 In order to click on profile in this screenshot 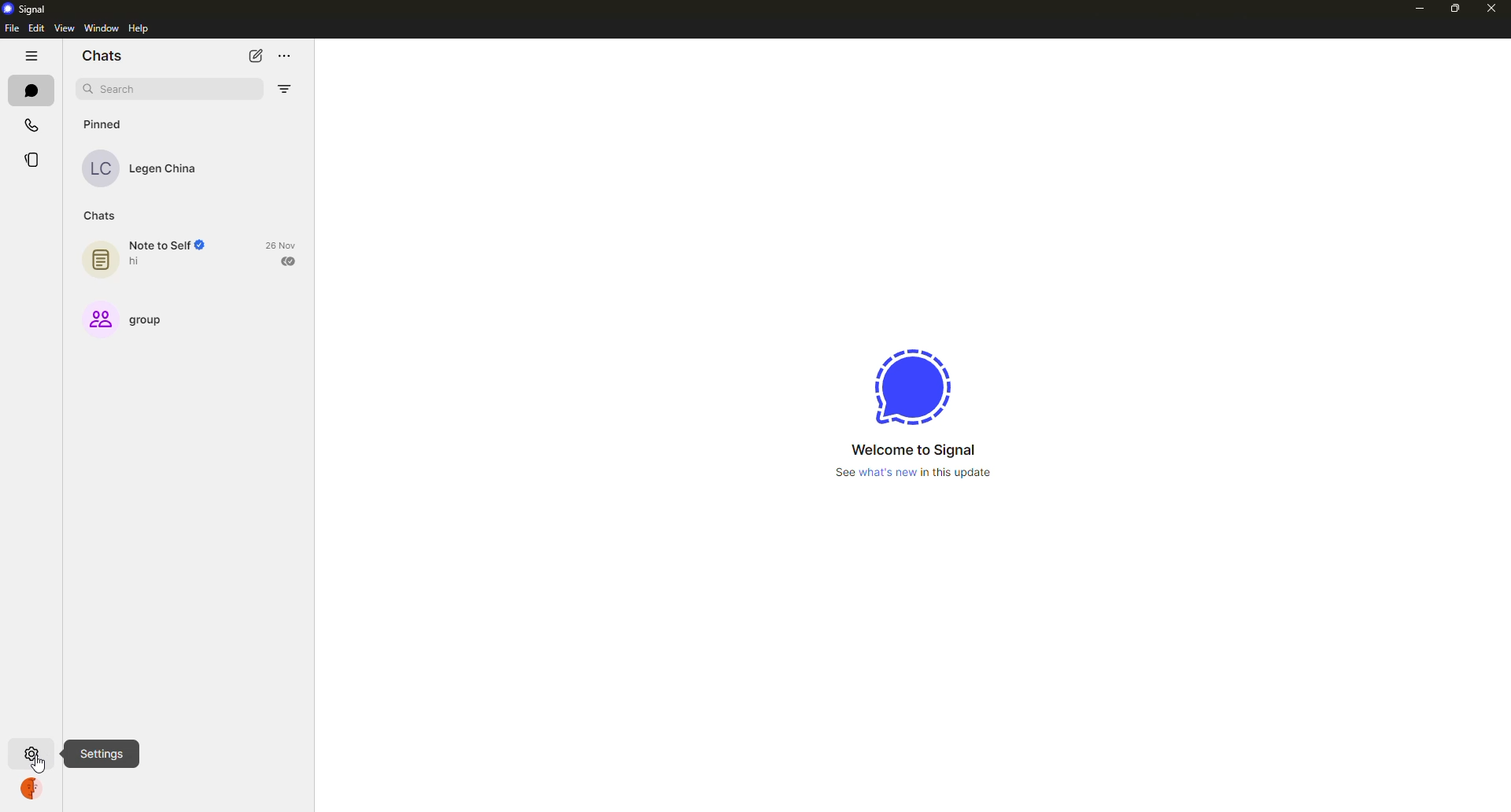, I will do `click(31, 789)`.